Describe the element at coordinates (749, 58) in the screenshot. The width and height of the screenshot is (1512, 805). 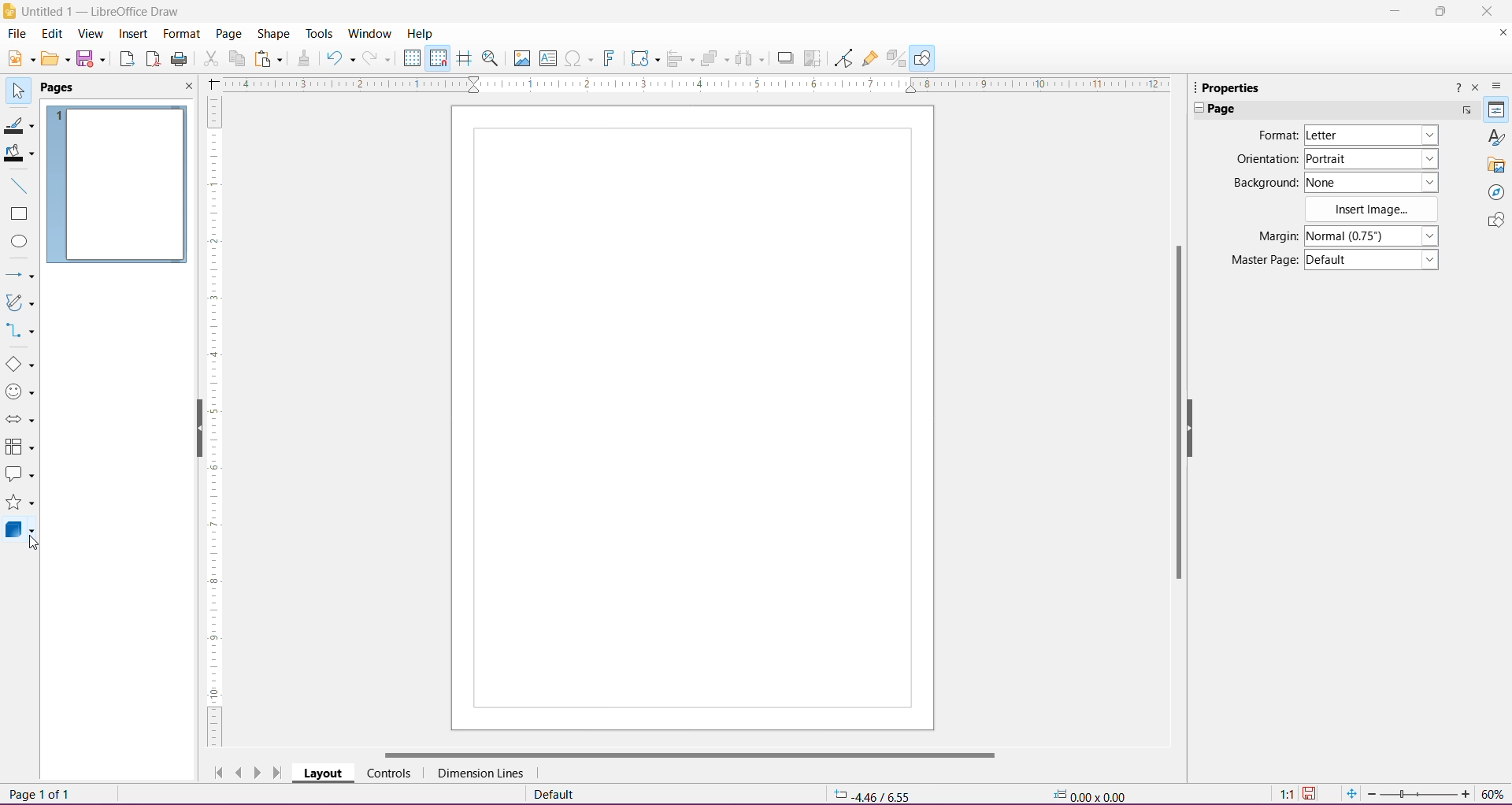
I see `Select atleast three objects to distribute` at that location.